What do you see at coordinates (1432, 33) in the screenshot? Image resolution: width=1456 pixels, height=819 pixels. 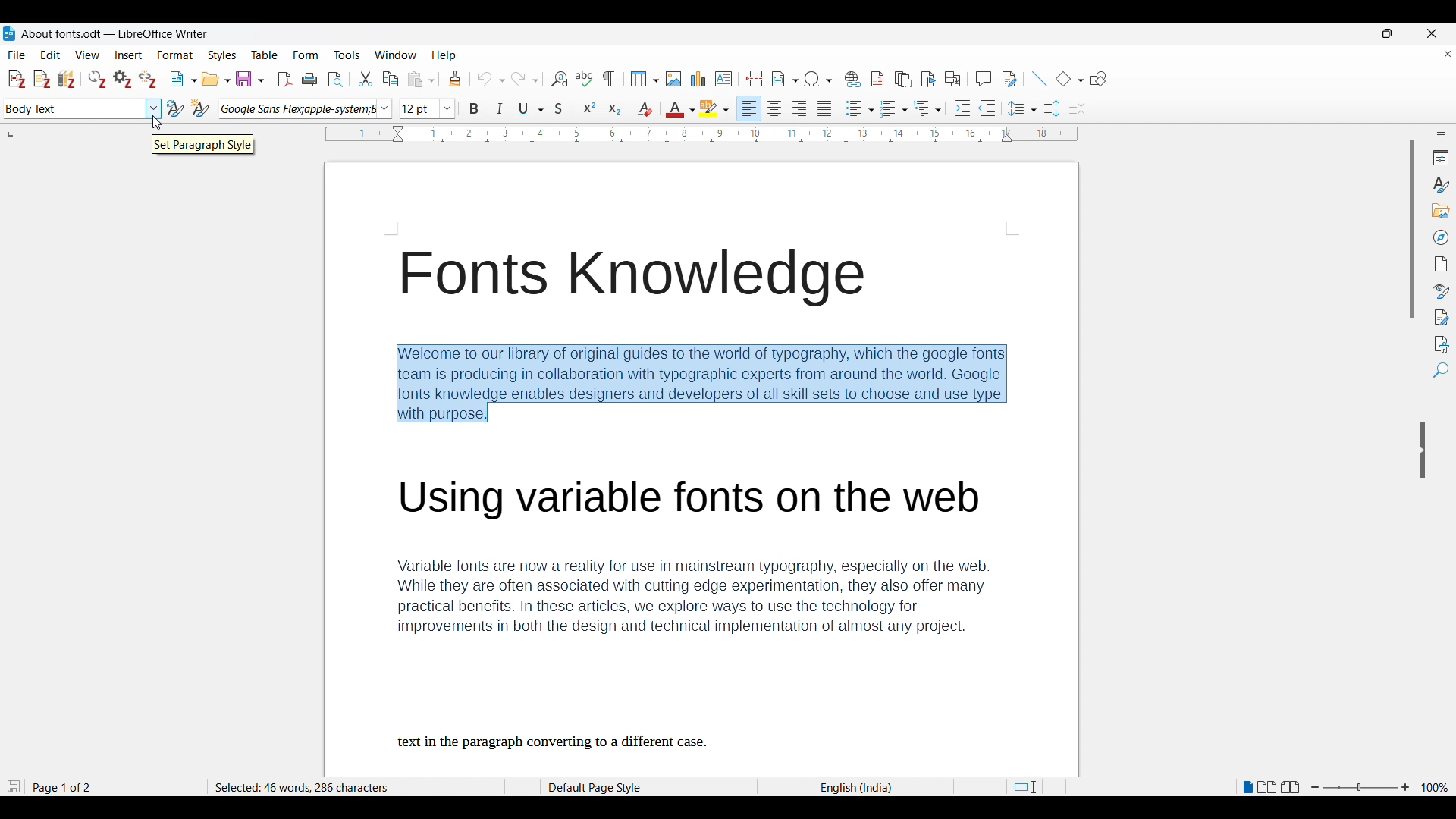 I see `Close interface` at bounding box center [1432, 33].